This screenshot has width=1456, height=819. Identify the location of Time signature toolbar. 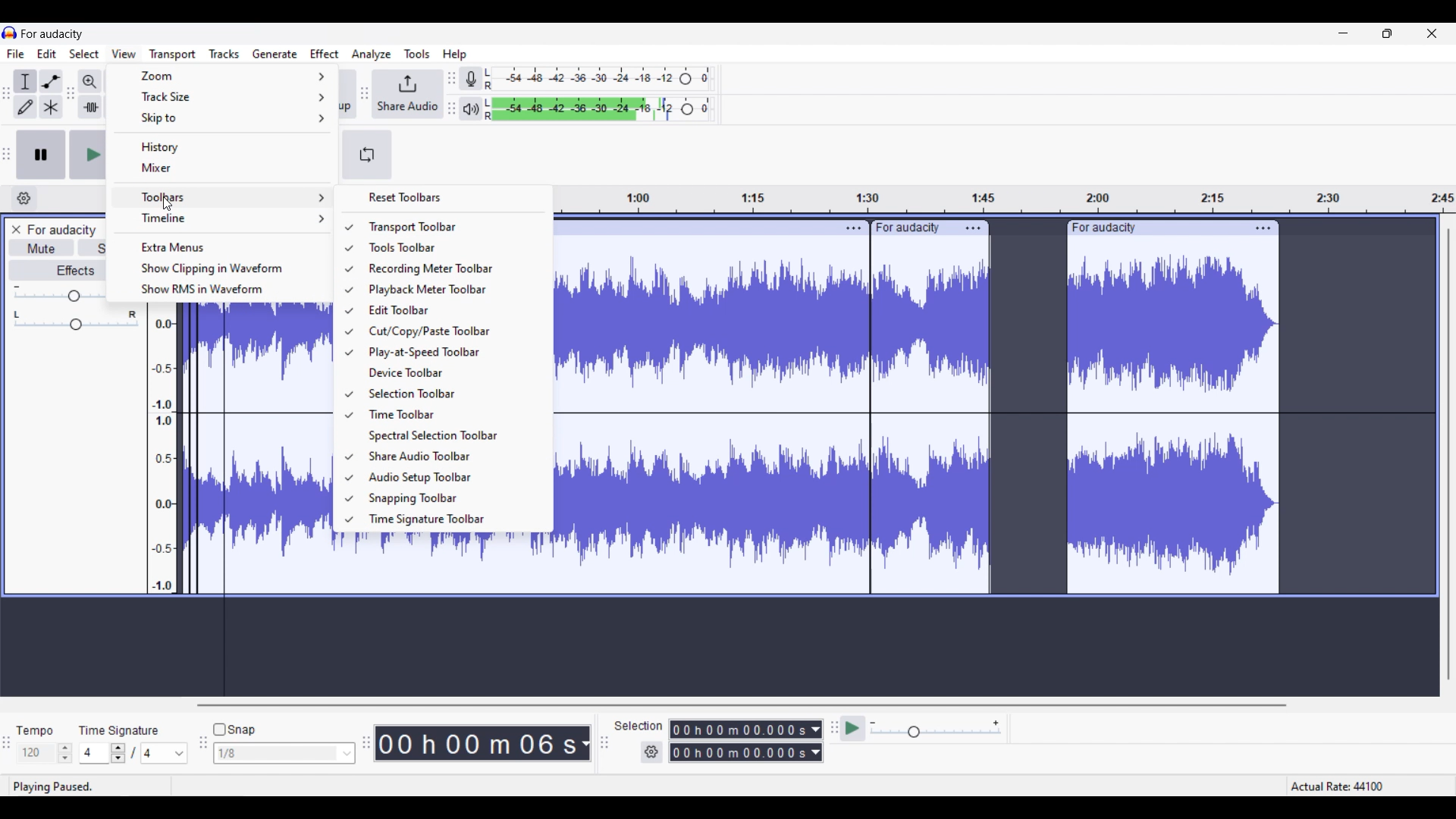
(452, 519).